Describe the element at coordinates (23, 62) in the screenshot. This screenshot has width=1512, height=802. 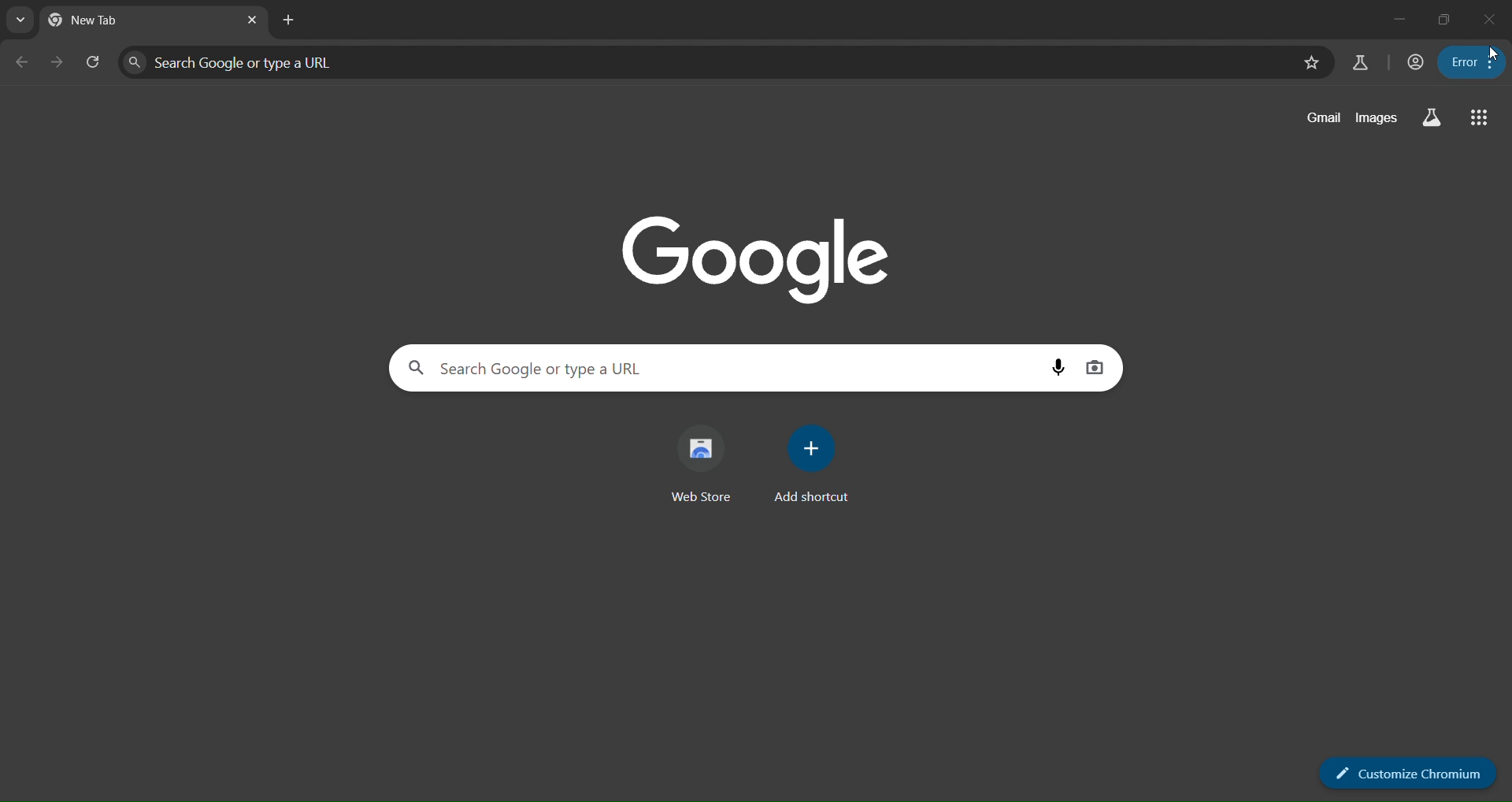
I see `go back one page` at that location.